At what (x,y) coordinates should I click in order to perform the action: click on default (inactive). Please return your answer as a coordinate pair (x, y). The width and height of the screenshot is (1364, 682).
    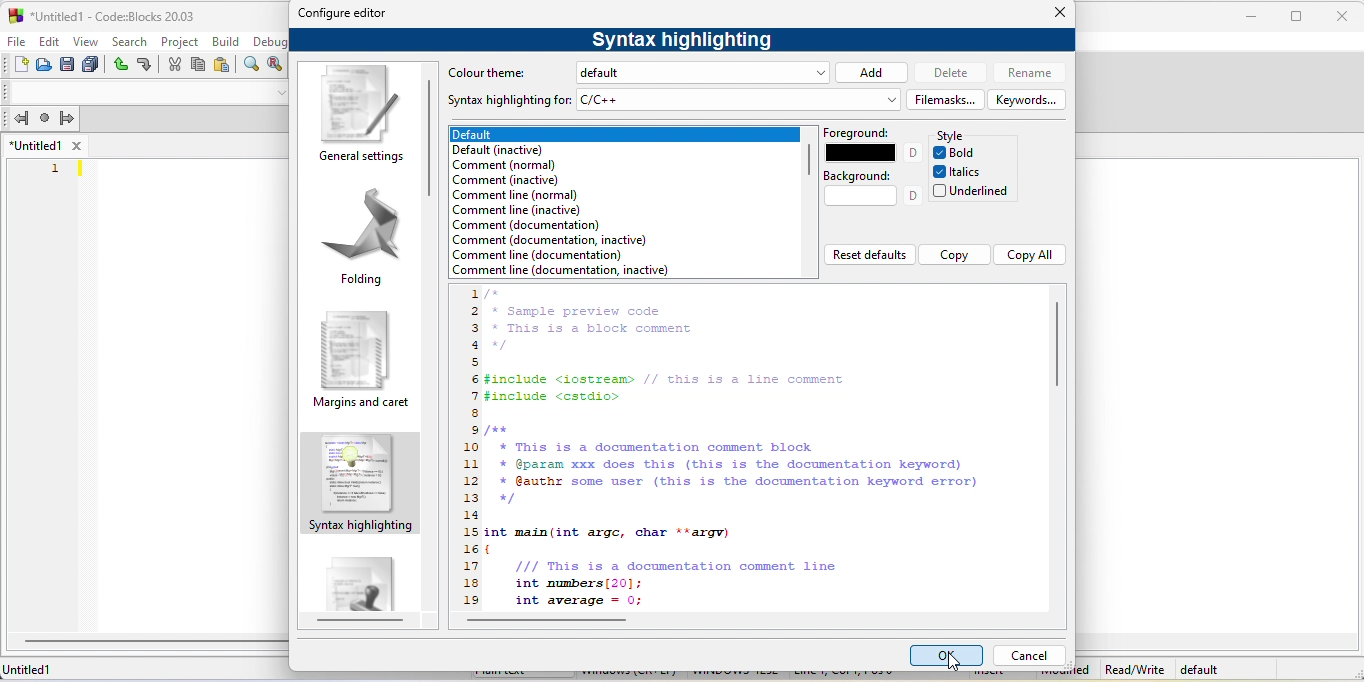
    Looking at the image, I should click on (515, 150).